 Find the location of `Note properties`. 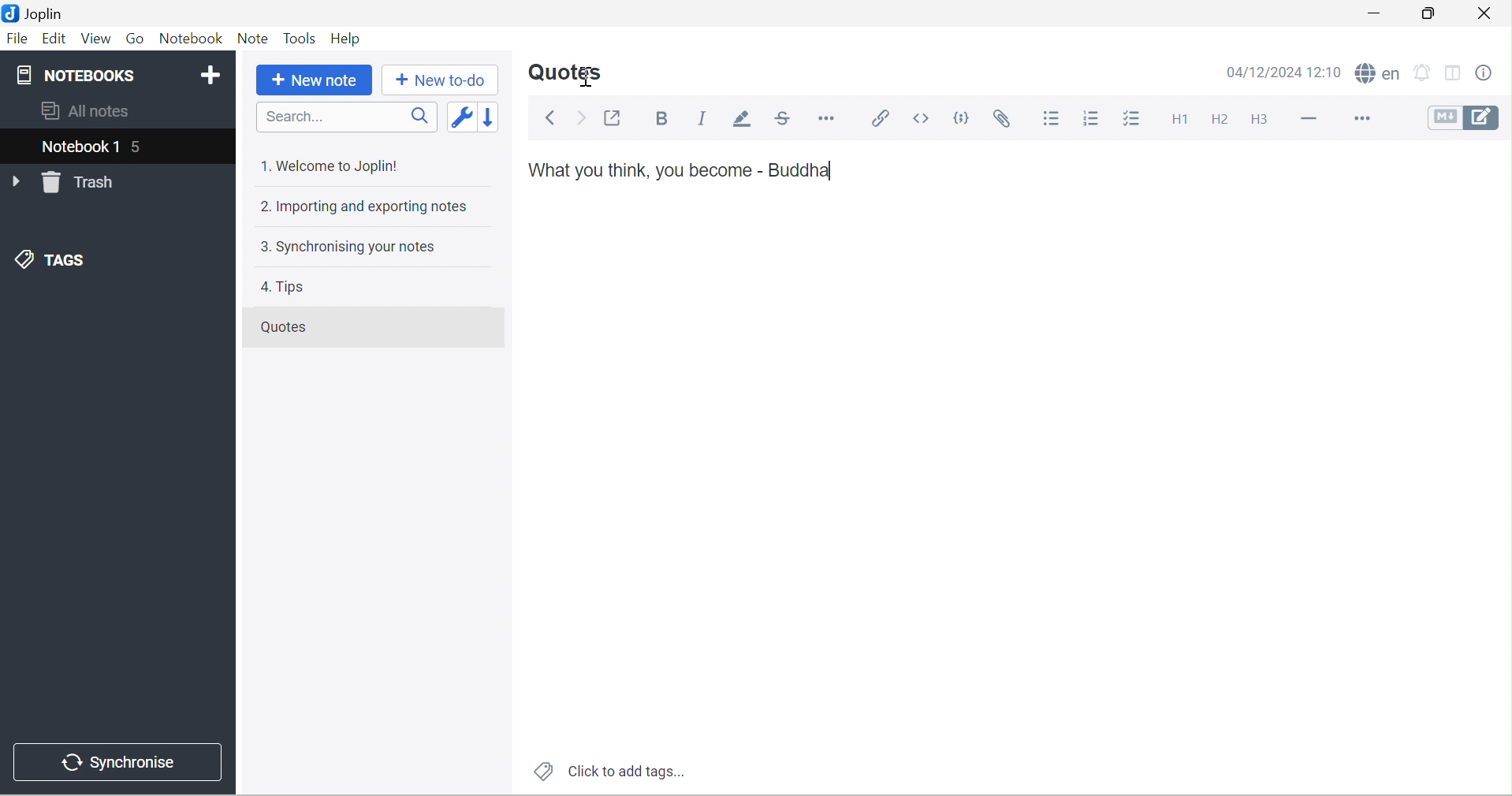

Note properties is located at coordinates (1494, 70).